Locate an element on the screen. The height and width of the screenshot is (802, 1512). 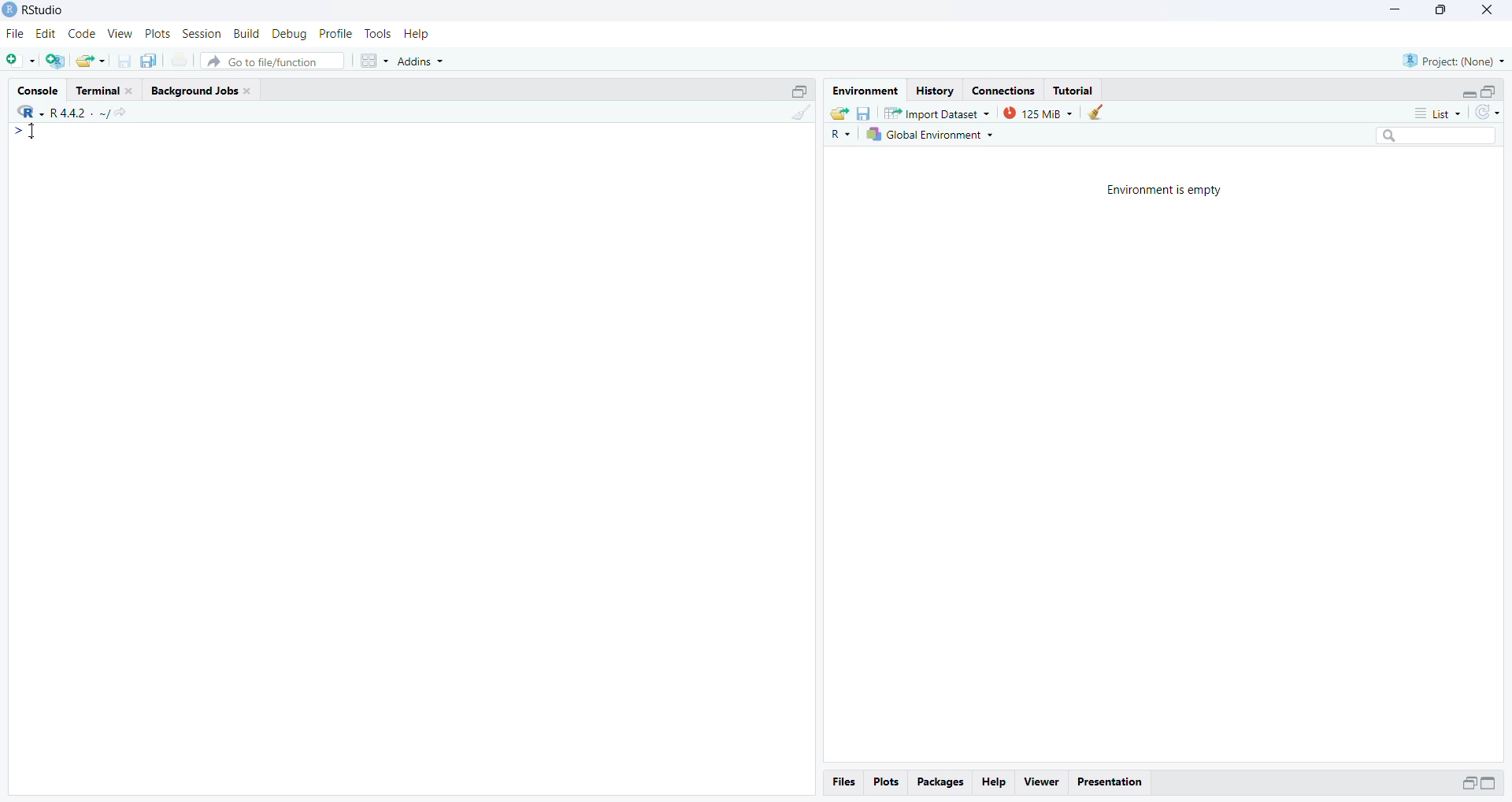
clear console is located at coordinates (799, 112).